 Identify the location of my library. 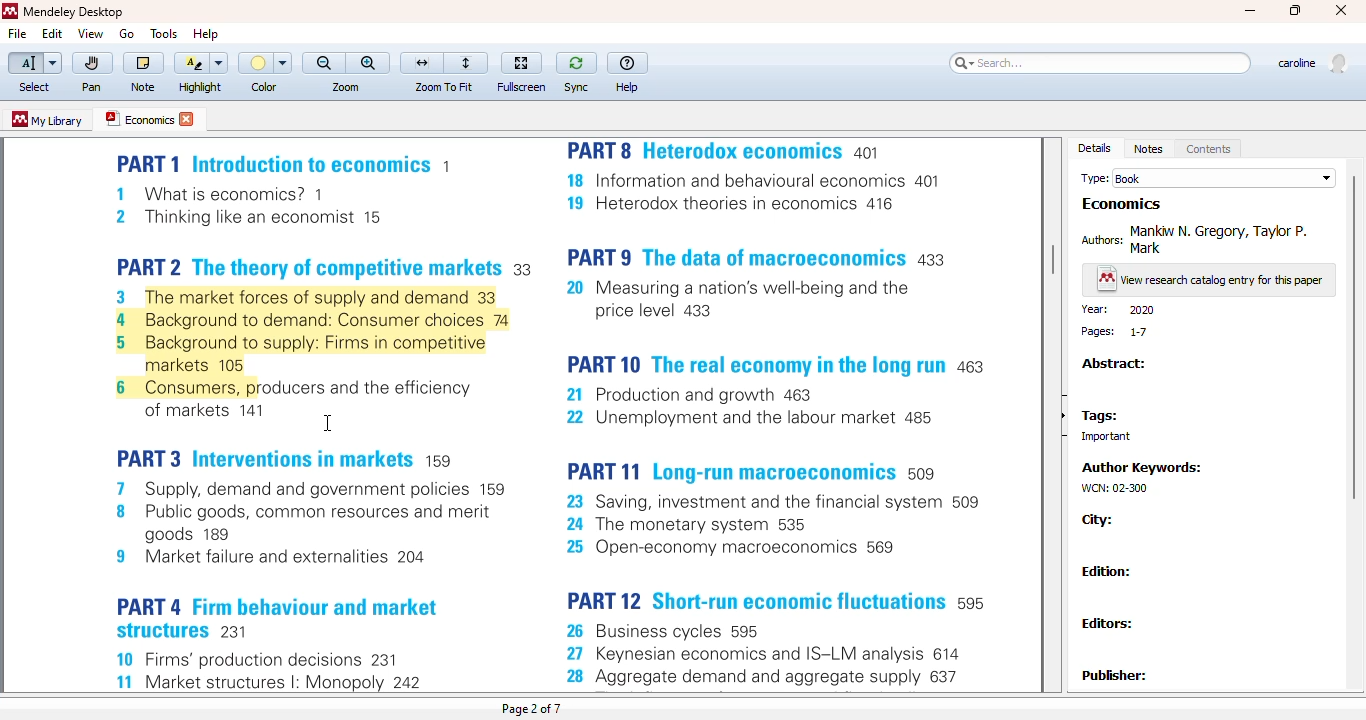
(46, 119).